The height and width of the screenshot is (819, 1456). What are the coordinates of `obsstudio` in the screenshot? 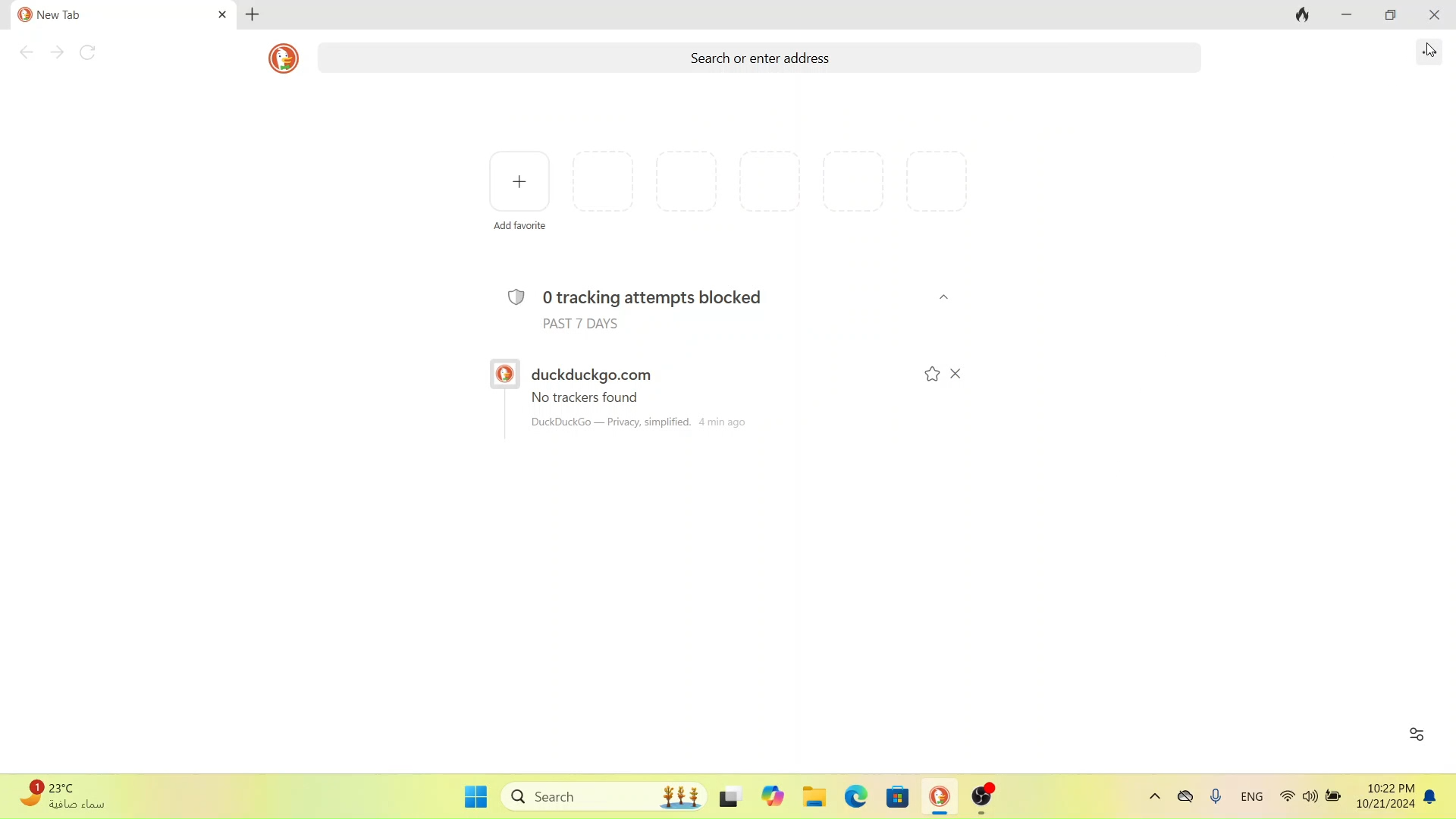 It's located at (984, 799).